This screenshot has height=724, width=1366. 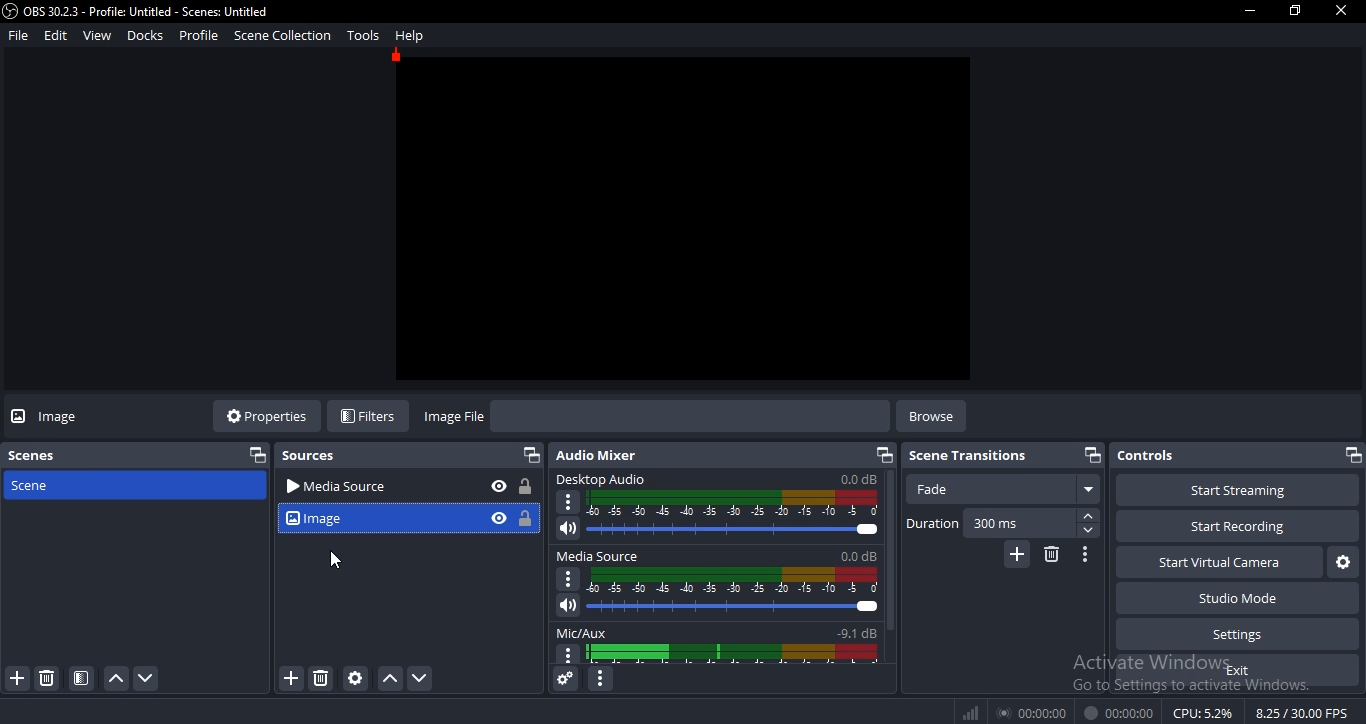 What do you see at coordinates (1215, 565) in the screenshot?
I see `start virtual camera` at bounding box center [1215, 565].